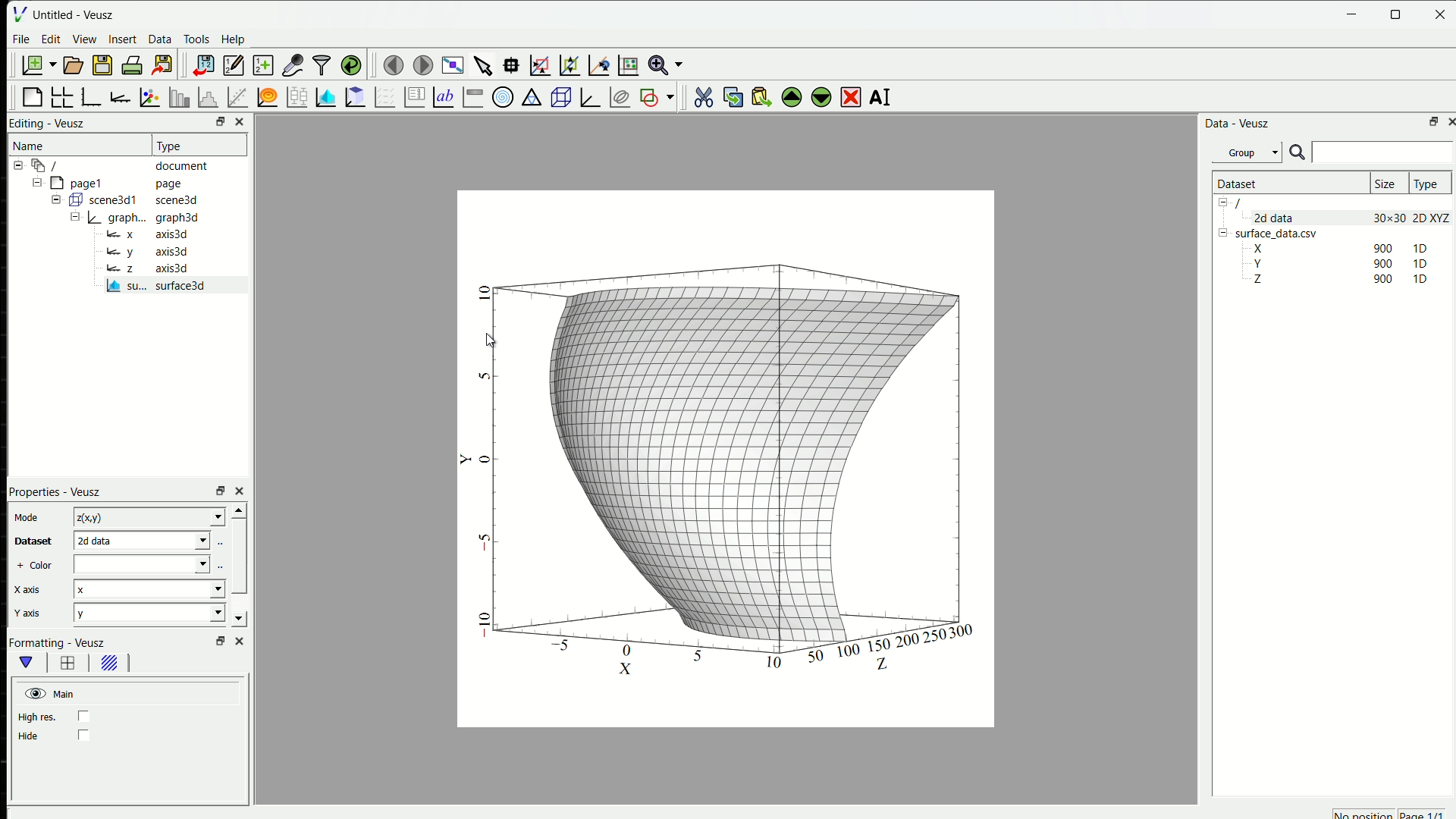 The width and height of the screenshot is (1456, 819). What do you see at coordinates (20, 14) in the screenshot?
I see `logo` at bounding box center [20, 14].